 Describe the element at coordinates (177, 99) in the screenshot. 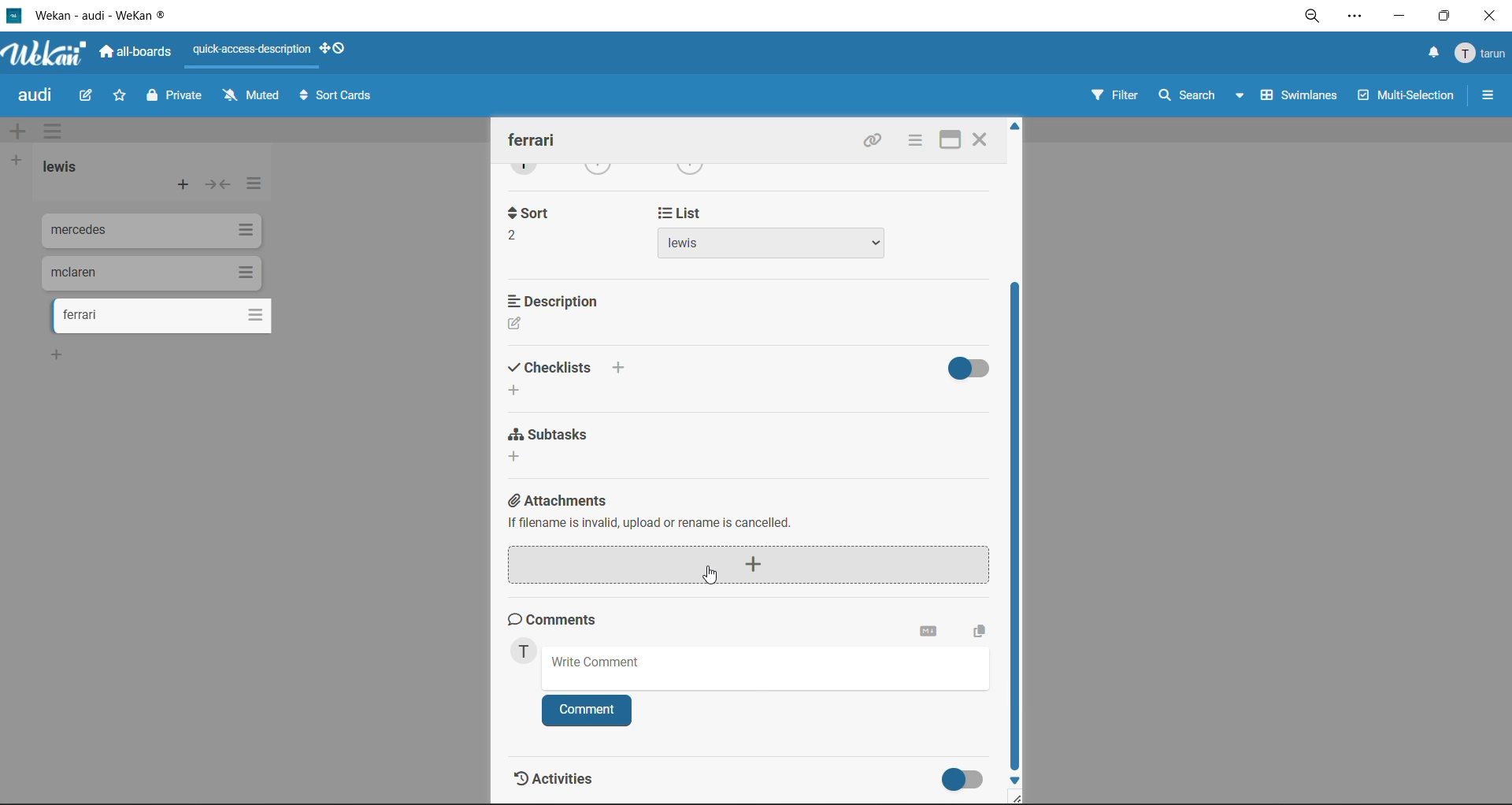

I see `private` at that location.